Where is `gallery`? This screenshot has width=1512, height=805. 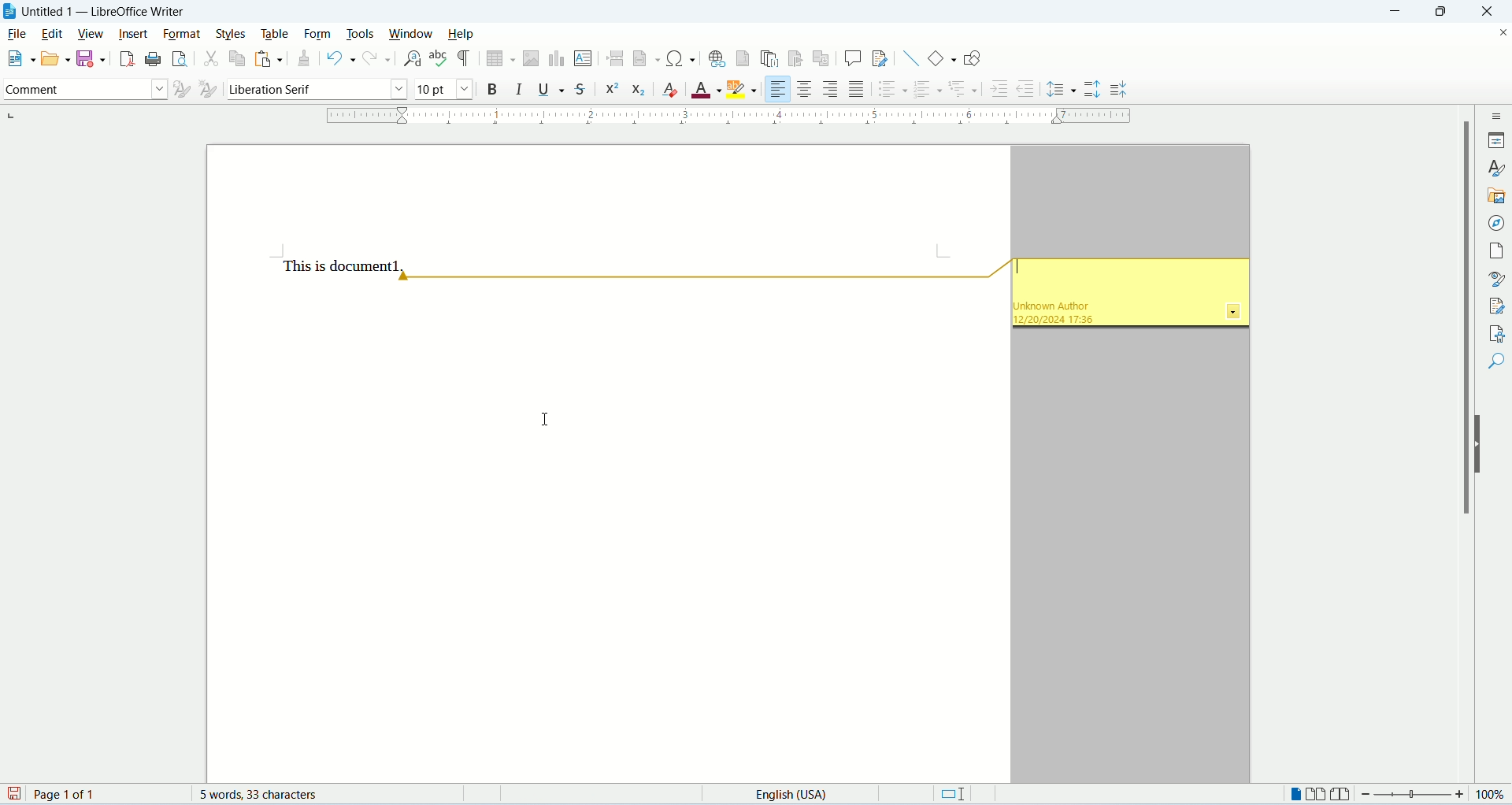 gallery is located at coordinates (1495, 196).